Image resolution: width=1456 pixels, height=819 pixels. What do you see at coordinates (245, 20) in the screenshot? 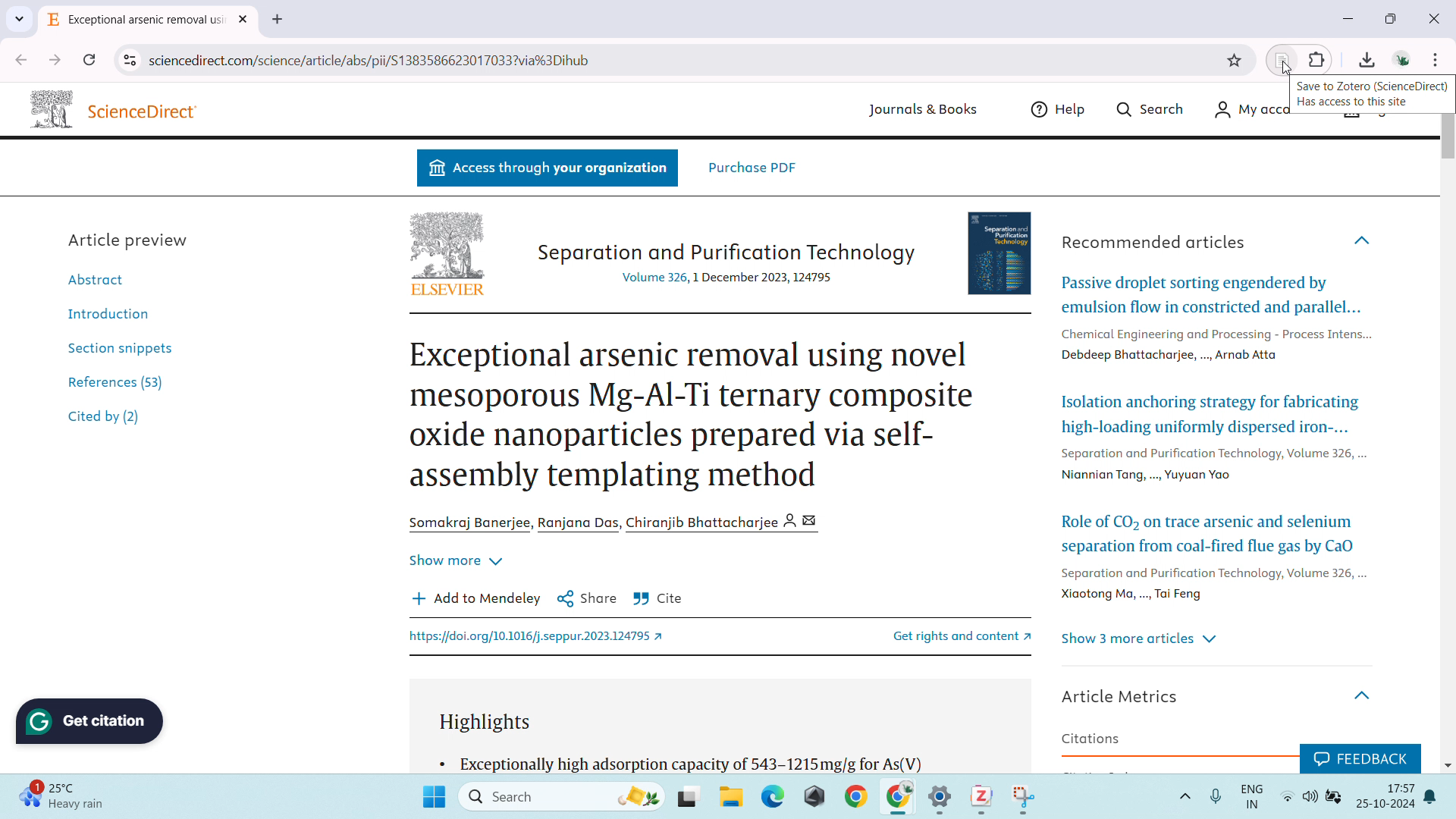
I see `close tab` at bounding box center [245, 20].